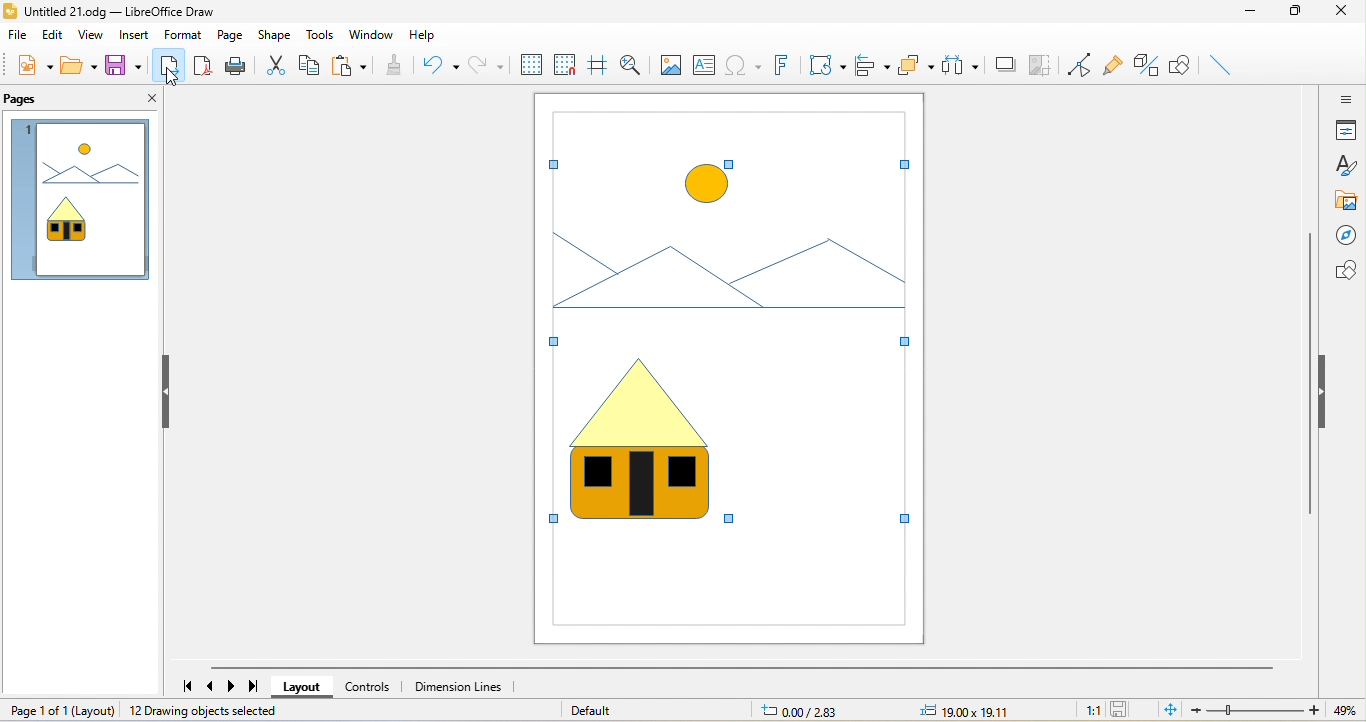 The image size is (1366, 722). Describe the element at coordinates (20, 36) in the screenshot. I see `file` at that location.